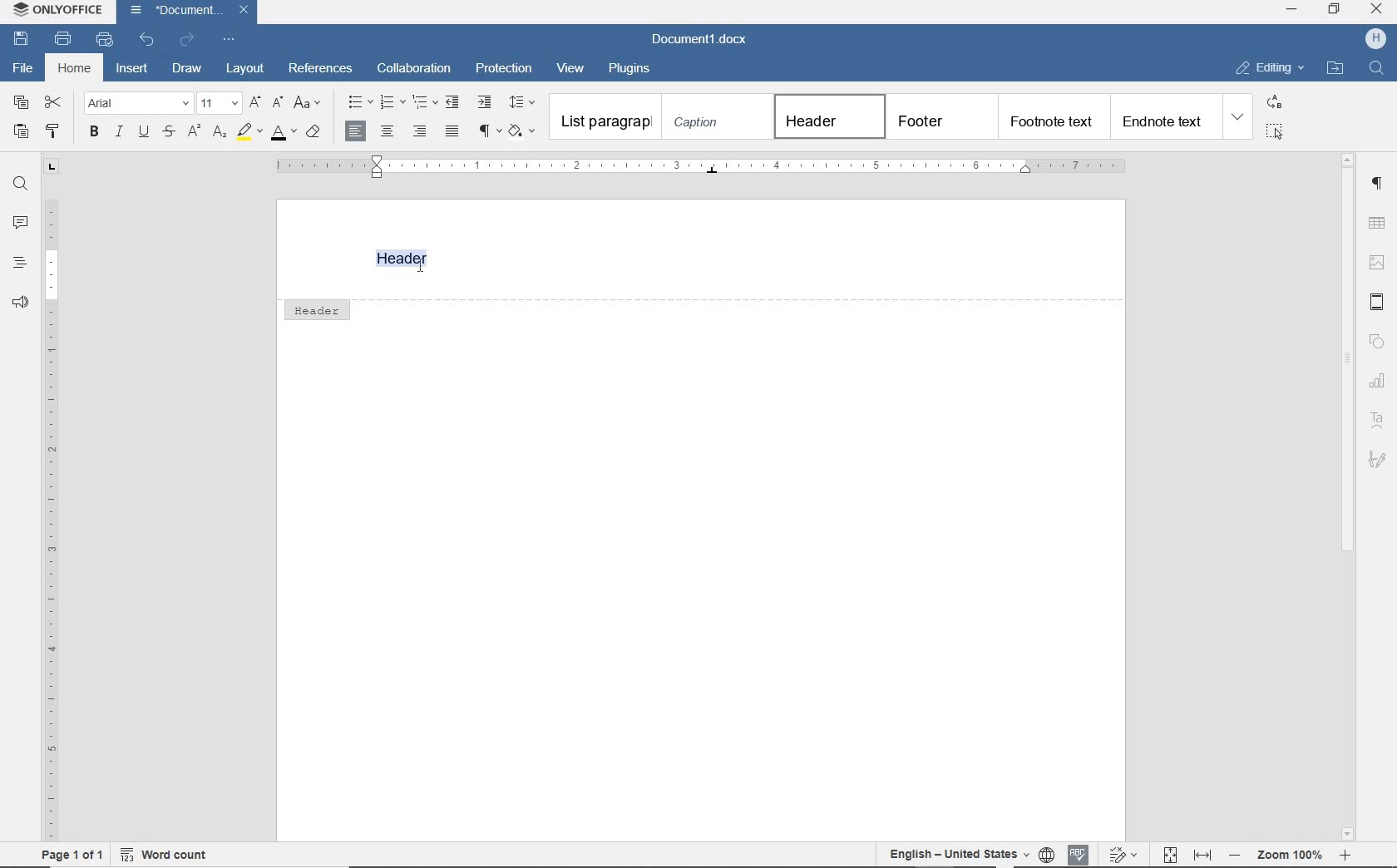 Image resolution: width=1397 pixels, height=868 pixels. Describe the element at coordinates (1379, 302) in the screenshot. I see `HEADER & FOOTER` at that location.